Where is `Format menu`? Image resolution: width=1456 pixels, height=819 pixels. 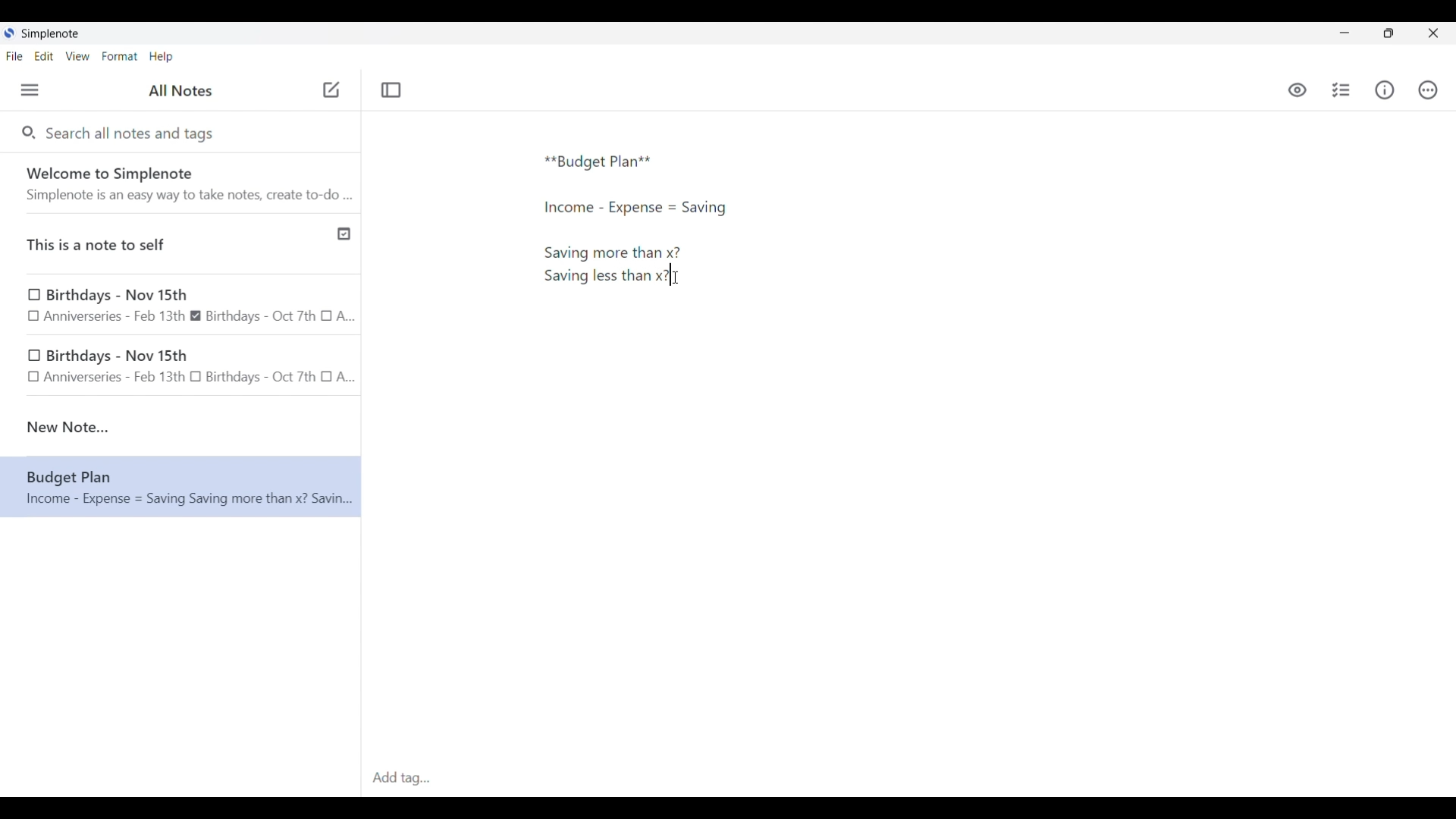
Format menu is located at coordinates (120, 56).